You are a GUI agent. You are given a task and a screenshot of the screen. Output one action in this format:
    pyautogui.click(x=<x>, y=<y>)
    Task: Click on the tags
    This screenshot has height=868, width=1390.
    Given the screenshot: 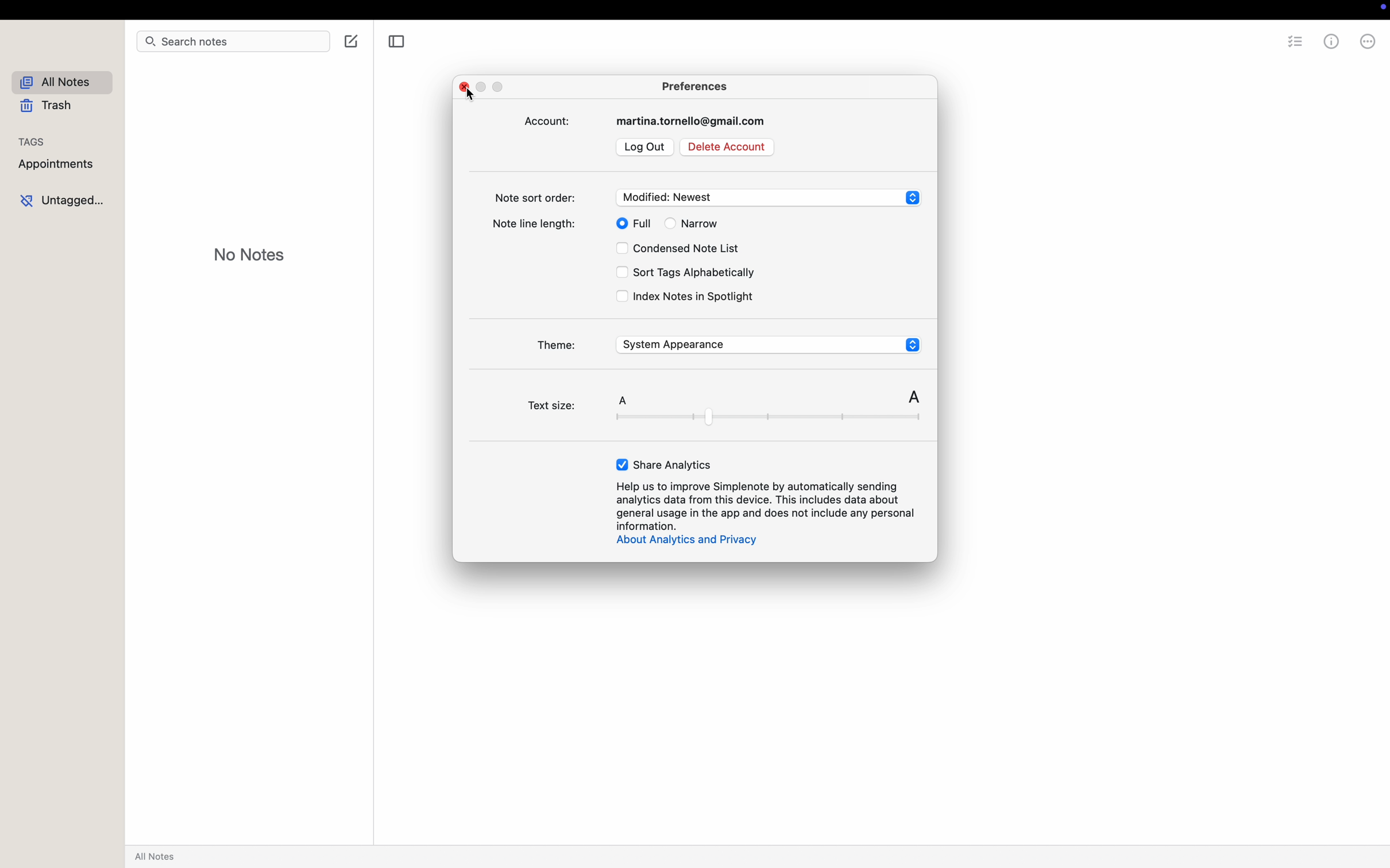 What is the action you would take?
    pyautogui.click(x=31, y=142)
    